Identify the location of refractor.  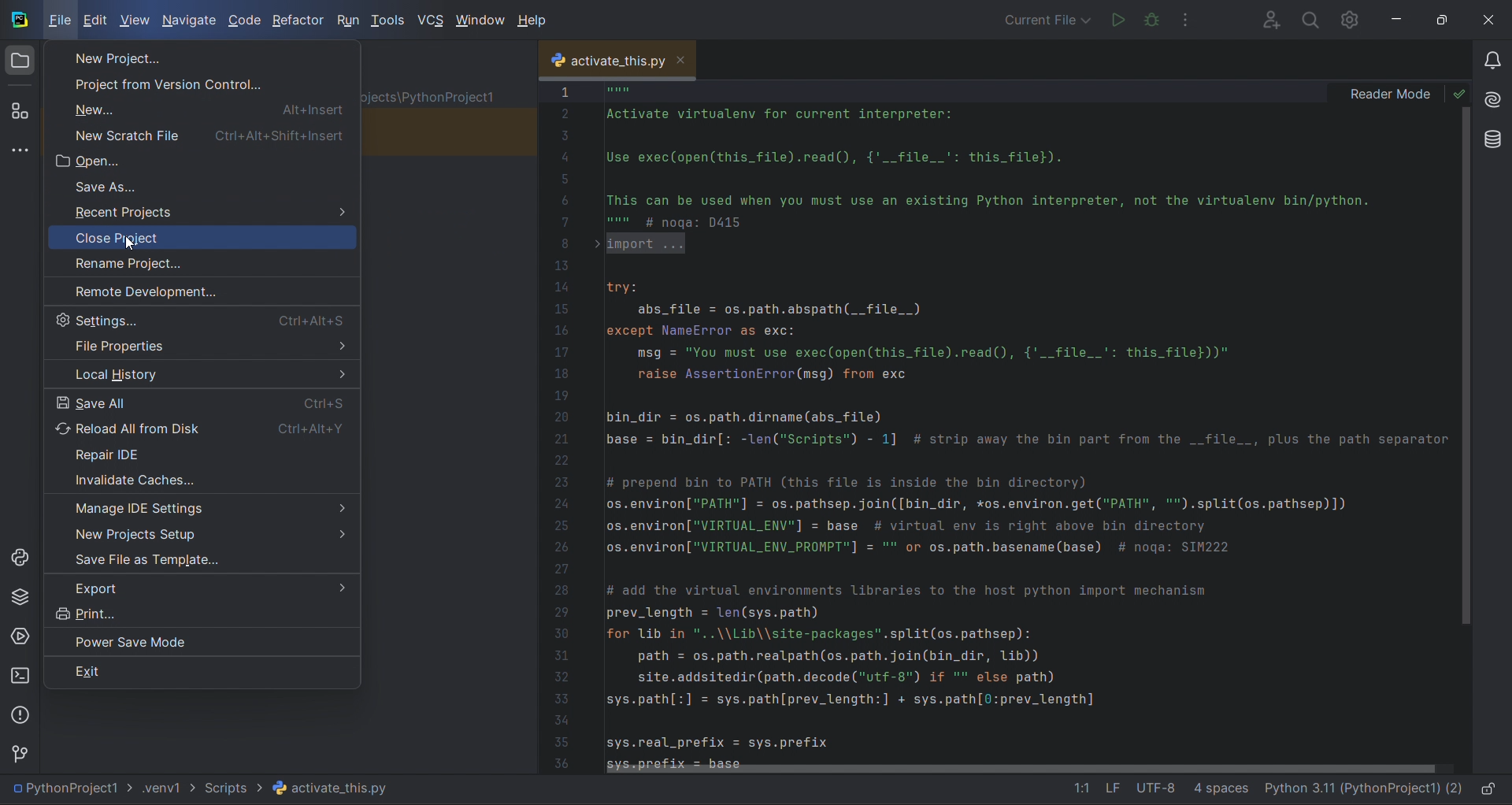
(296, 19).